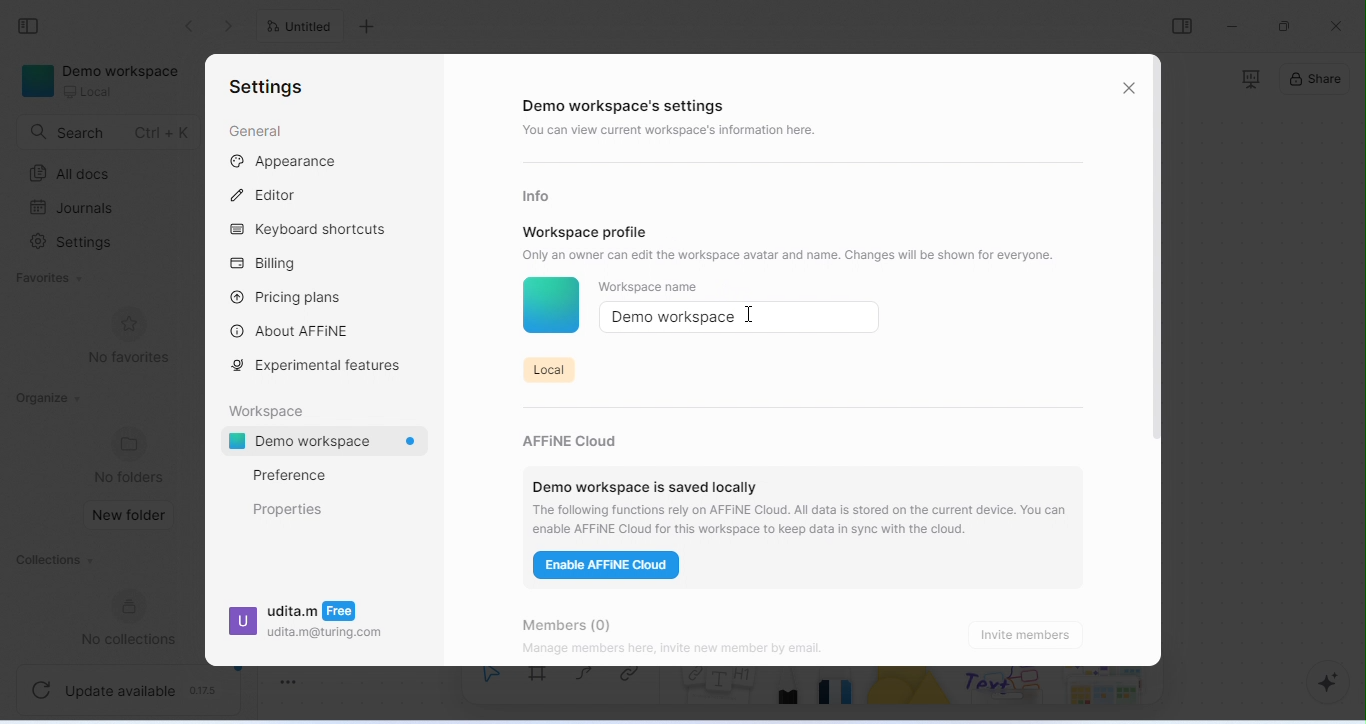  Describe the element at coordinates (1336, 26) in the screenshot. I see `close` at that location.